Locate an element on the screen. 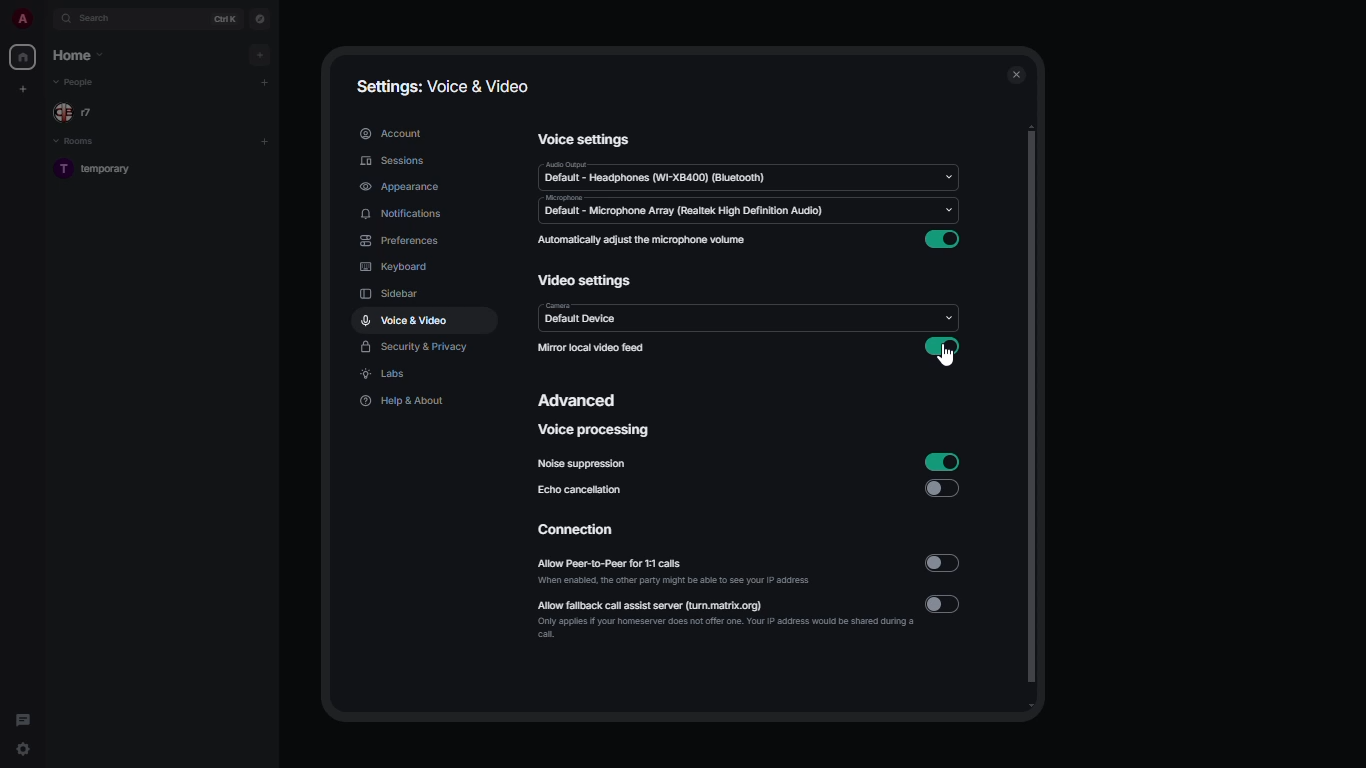 This screenshot has height=768, width=1366. home is located at coordinates (22, 57).